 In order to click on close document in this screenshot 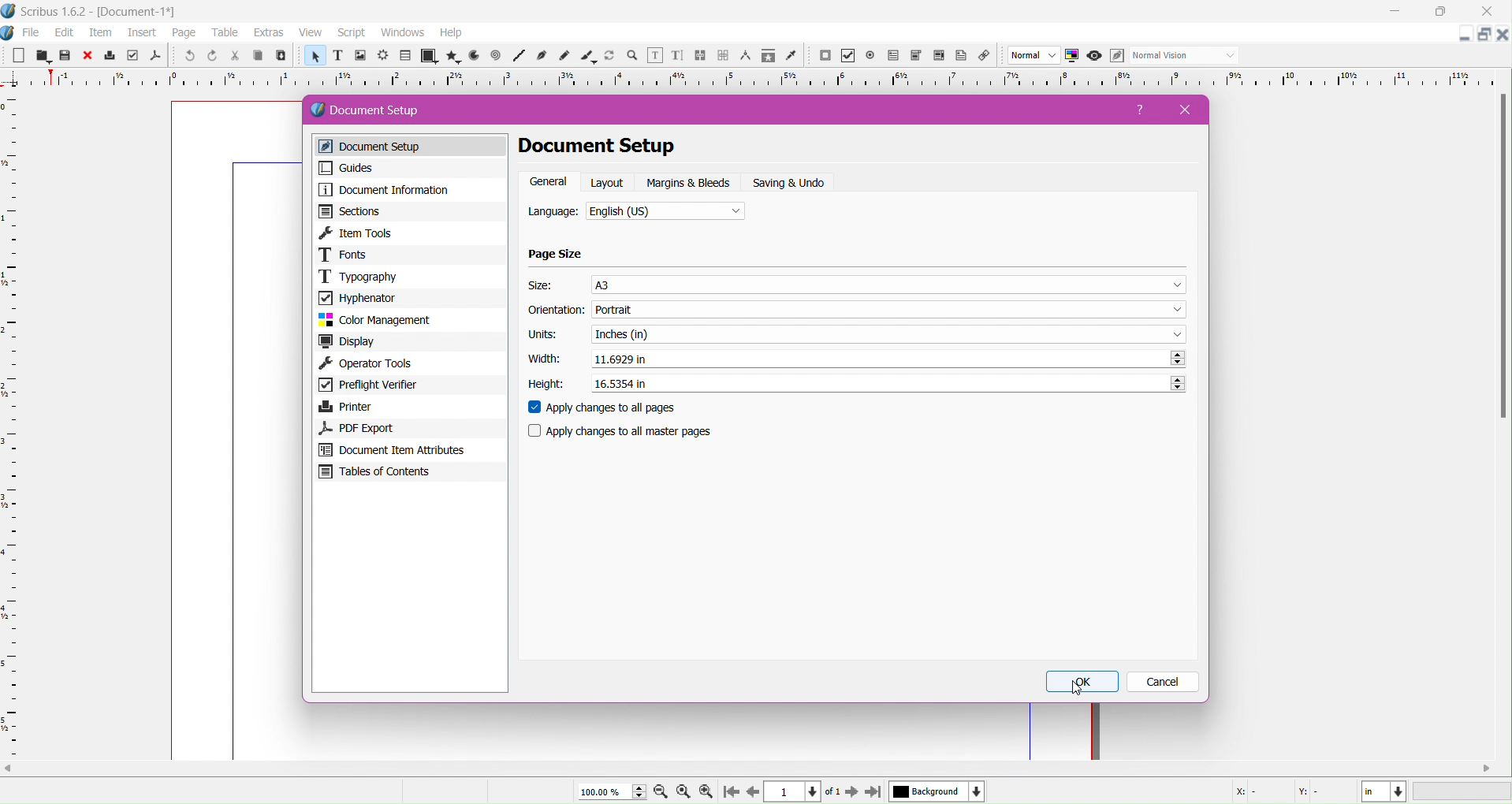, I will do `click(1503, 35)`.